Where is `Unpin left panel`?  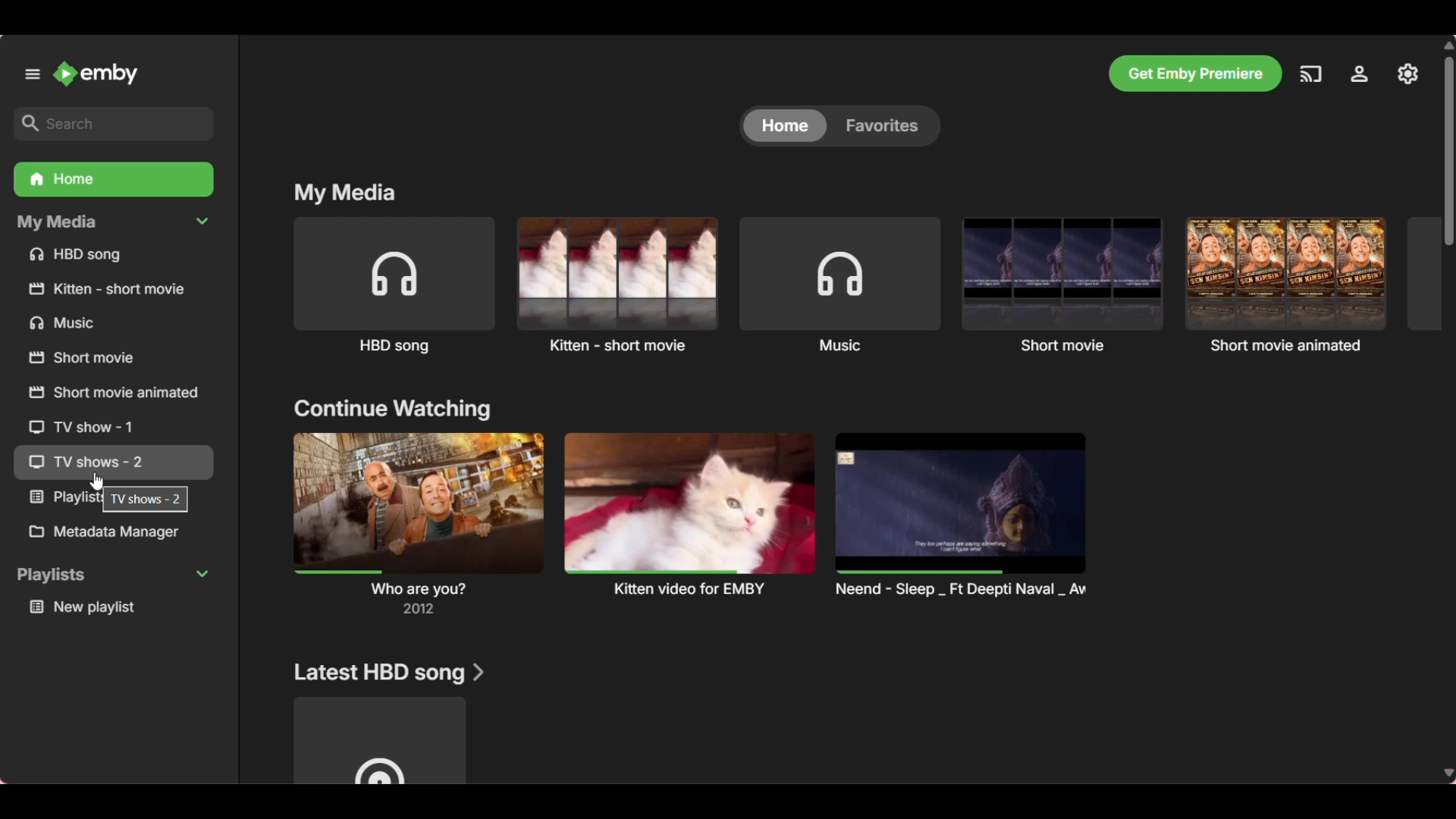 Unpin left panel is located at coordinates (33, 74).